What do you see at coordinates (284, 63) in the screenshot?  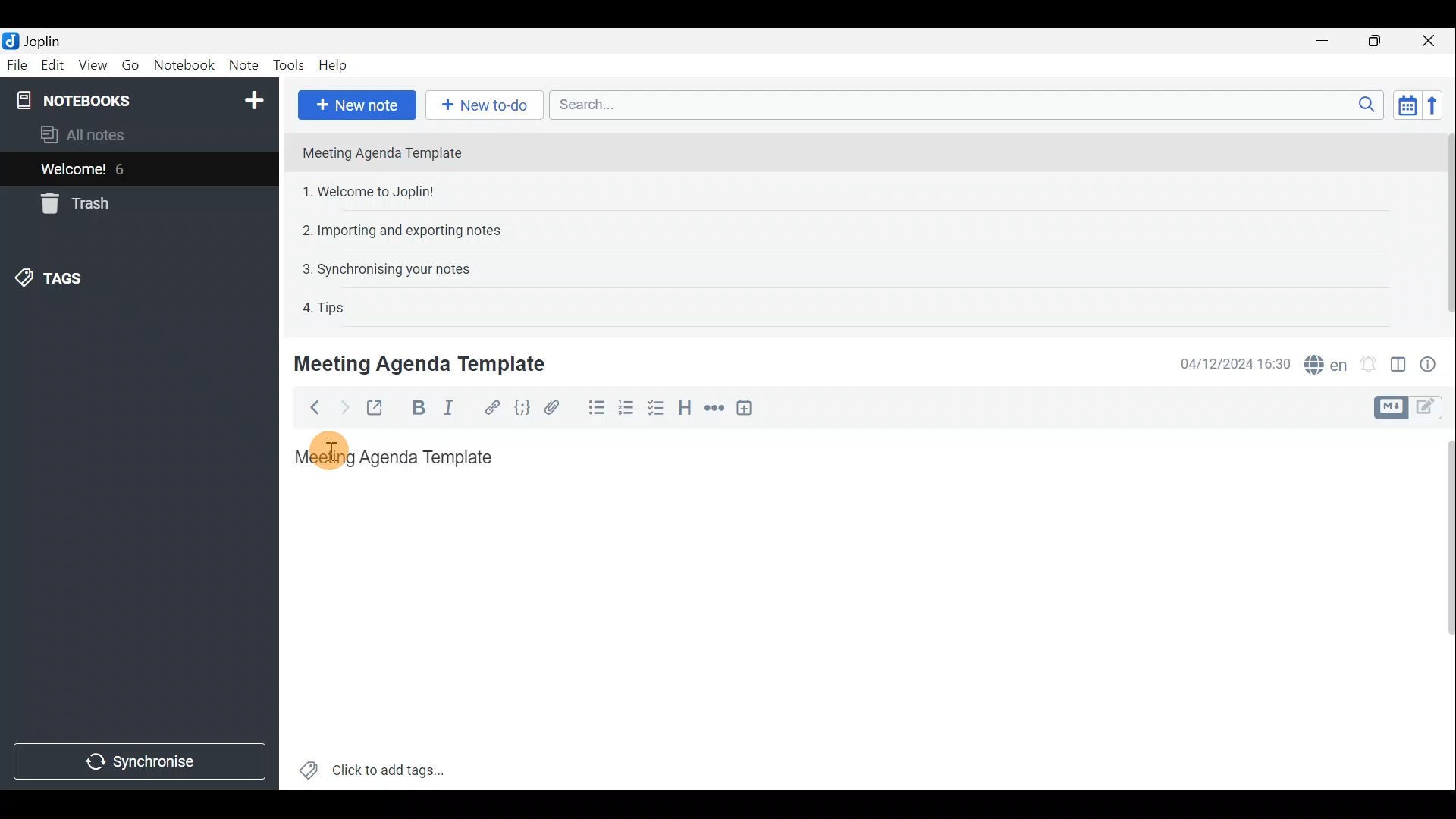 I see `Tools` at bounding box center [284, 63].